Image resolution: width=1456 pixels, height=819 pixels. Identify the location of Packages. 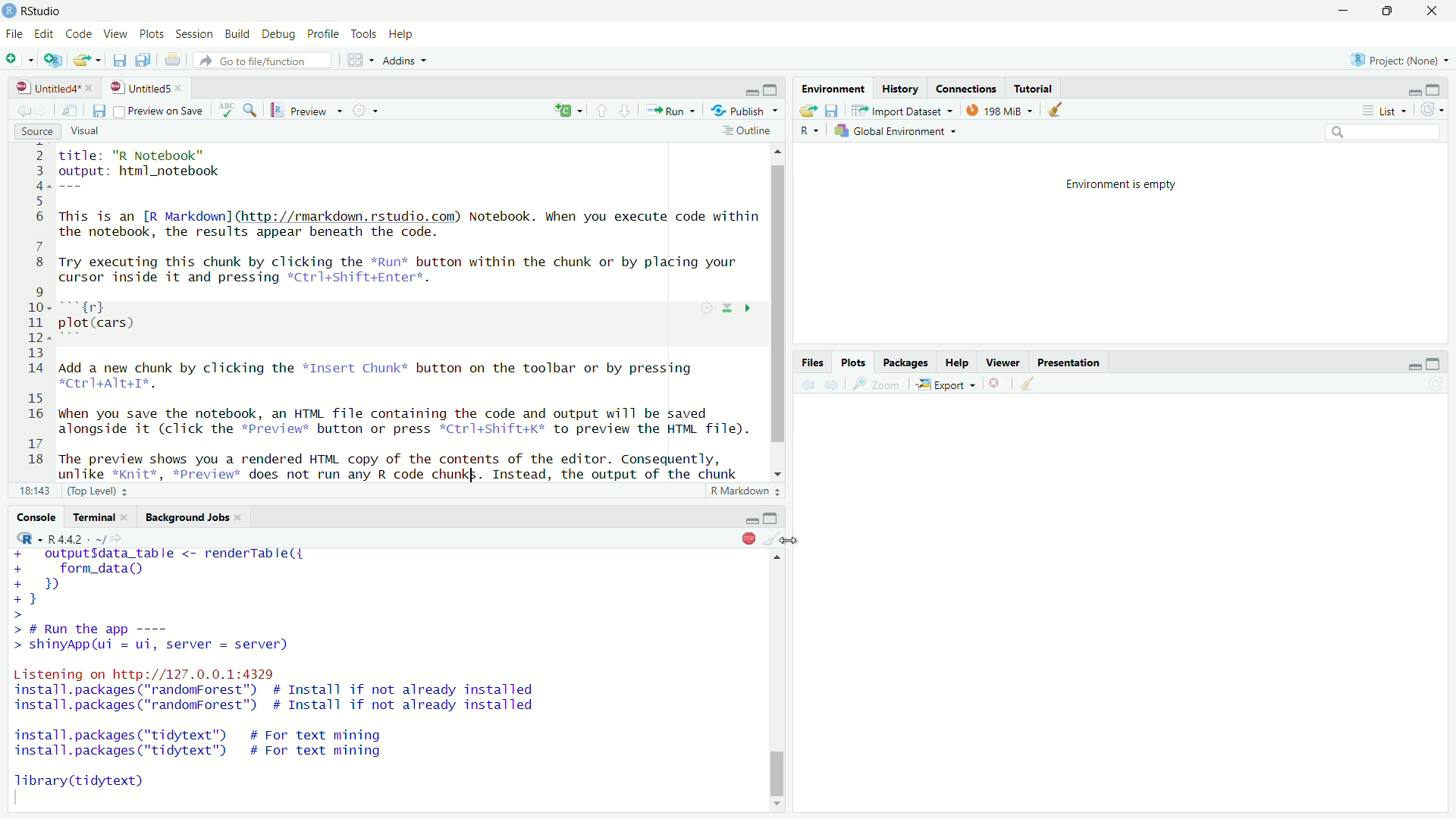
(907, 363).